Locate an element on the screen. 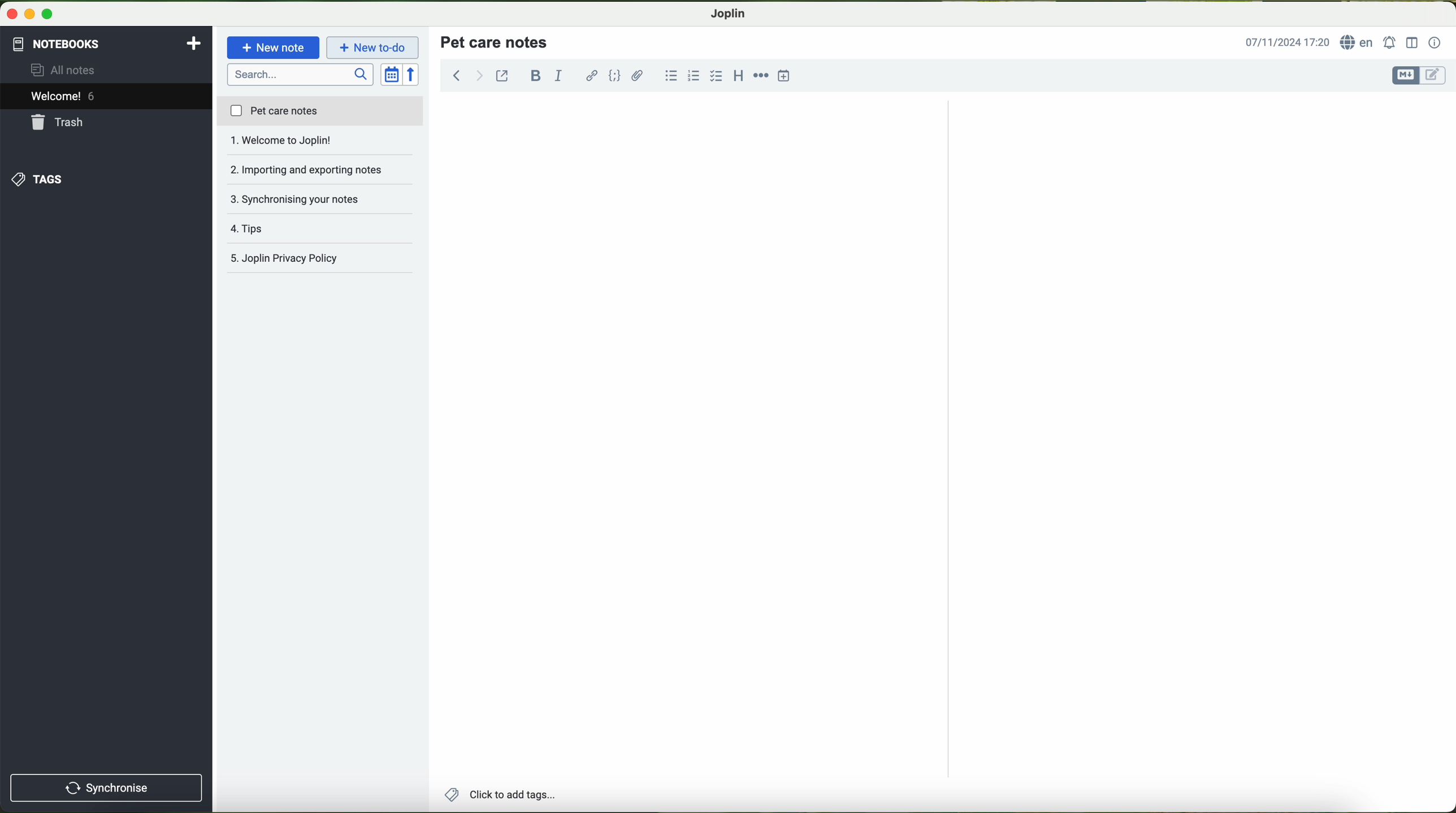 Image resolution: width=1456 pixels, height=813 pixels. all notes is located at coordinates (66, 71).